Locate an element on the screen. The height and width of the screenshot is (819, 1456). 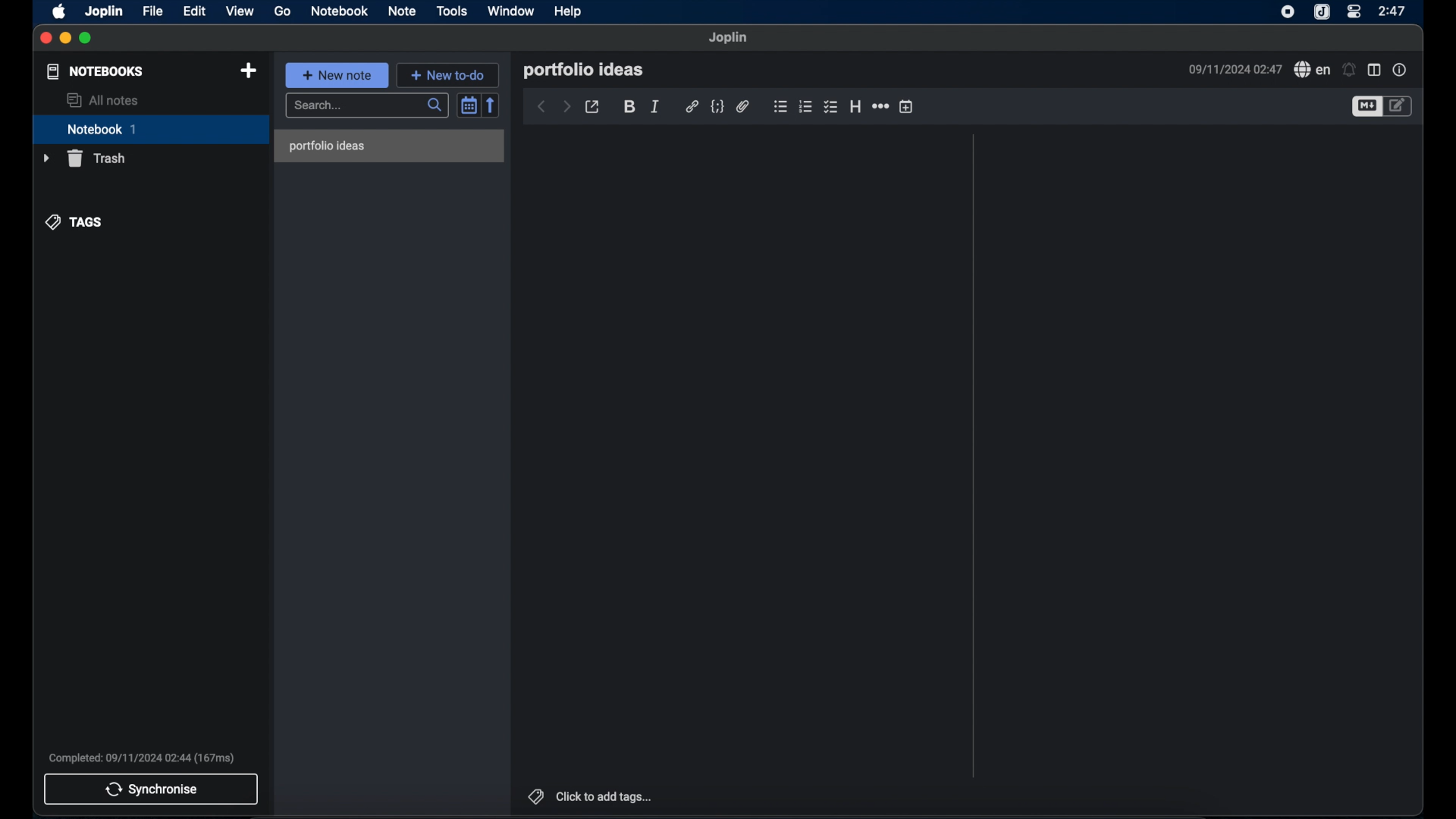
file is located at coordinates (152, 11).